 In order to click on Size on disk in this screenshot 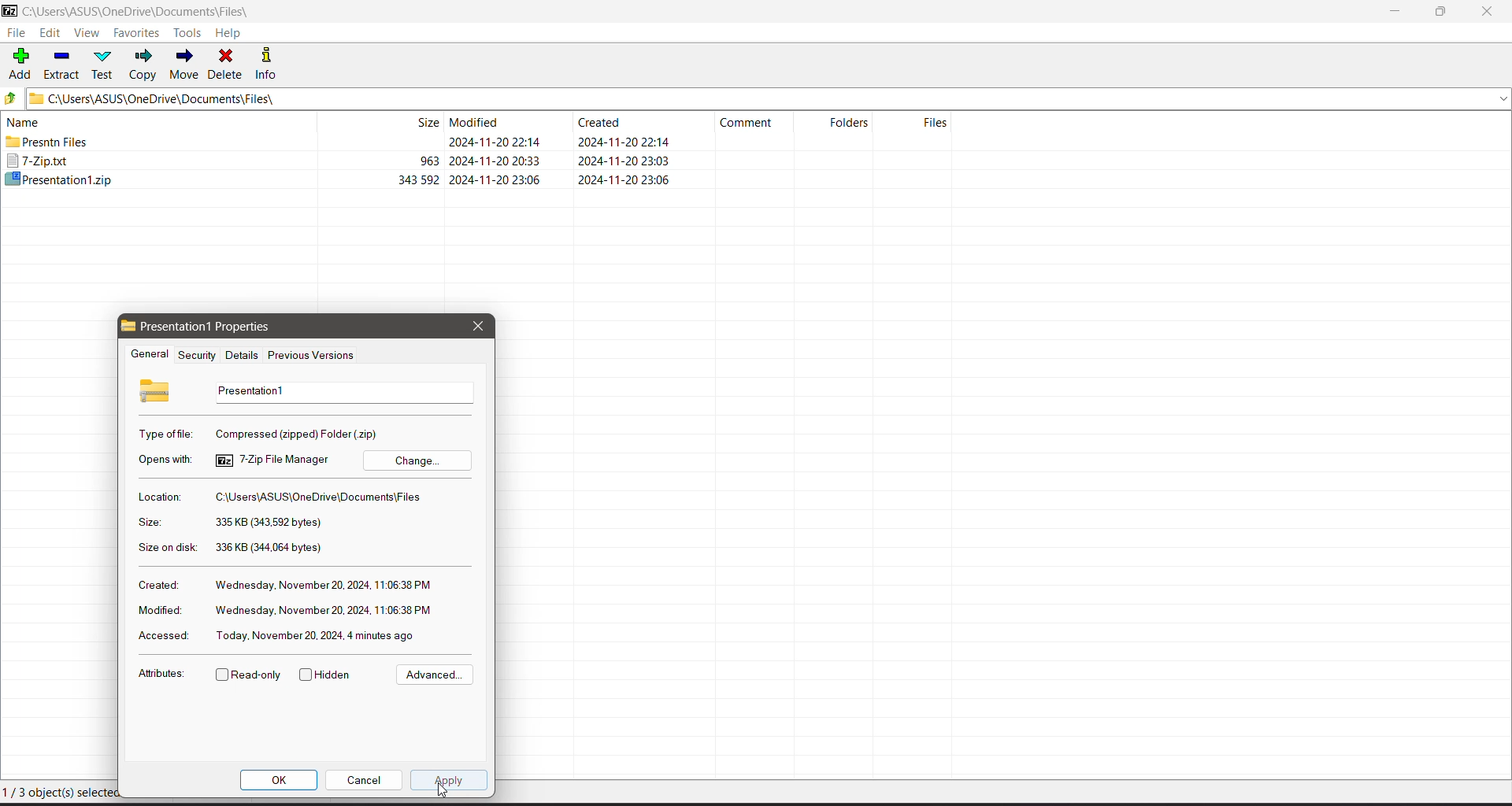, I will do `click(168, 549)`.